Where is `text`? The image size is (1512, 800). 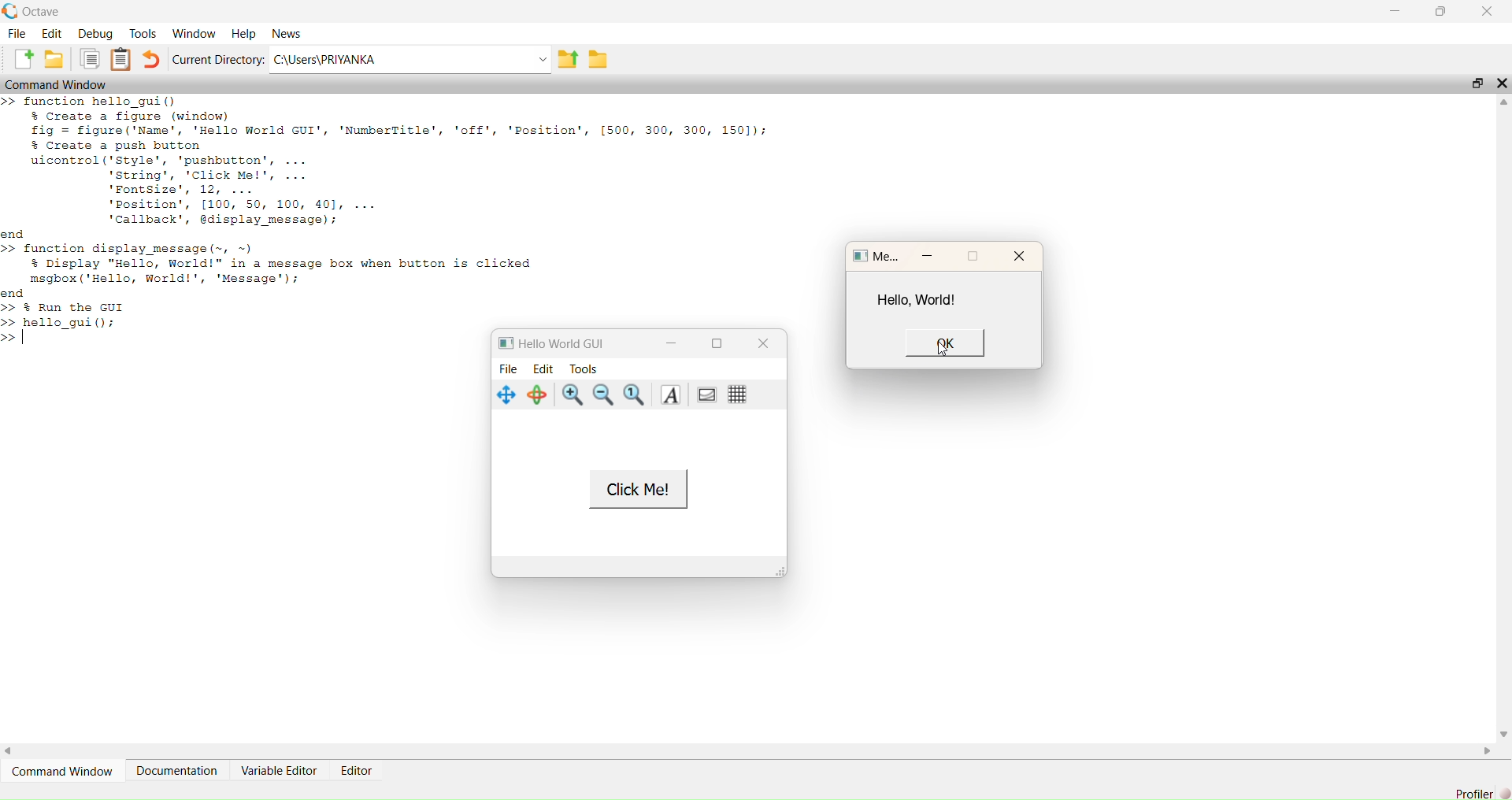
text is located at coordinates (673, 396).